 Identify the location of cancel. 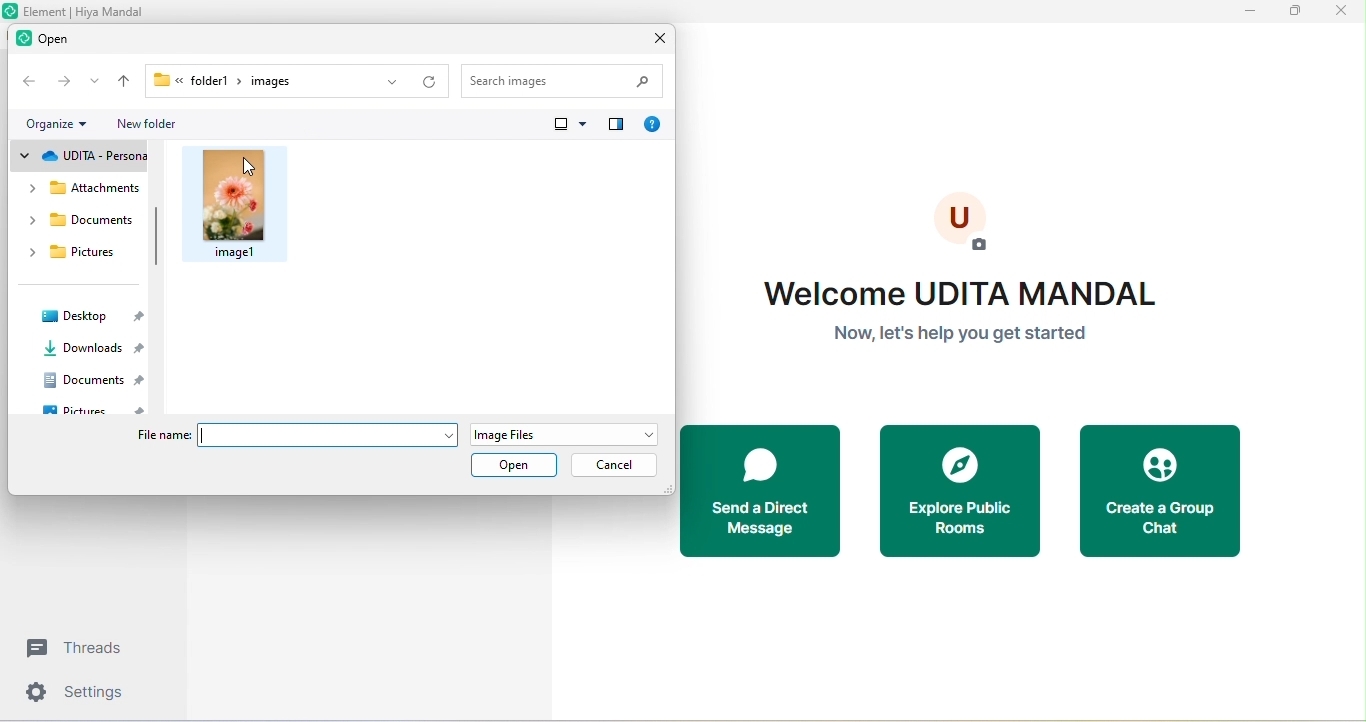
(617, 464).